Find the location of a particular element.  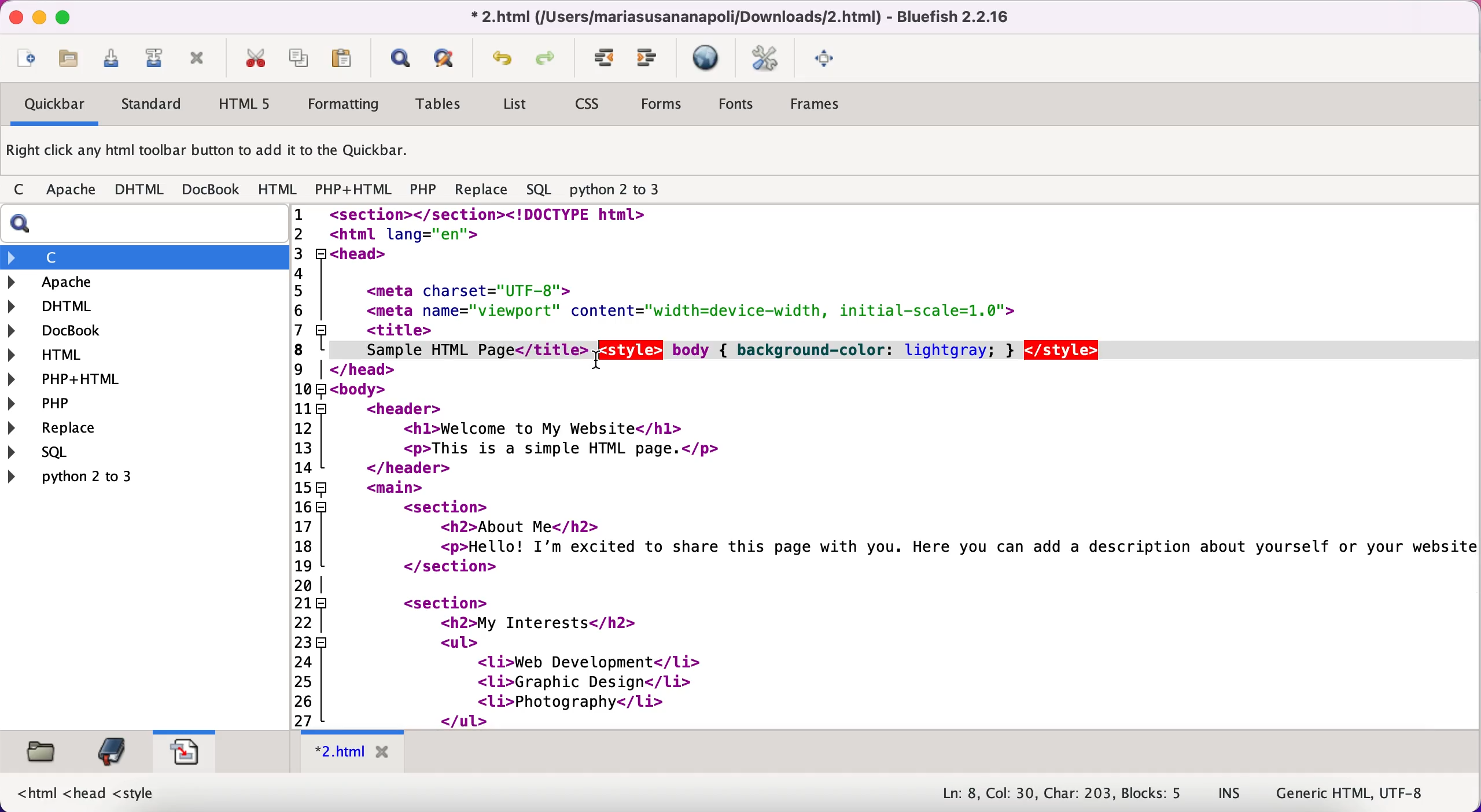

minimize is located at coordinates (38, 18).